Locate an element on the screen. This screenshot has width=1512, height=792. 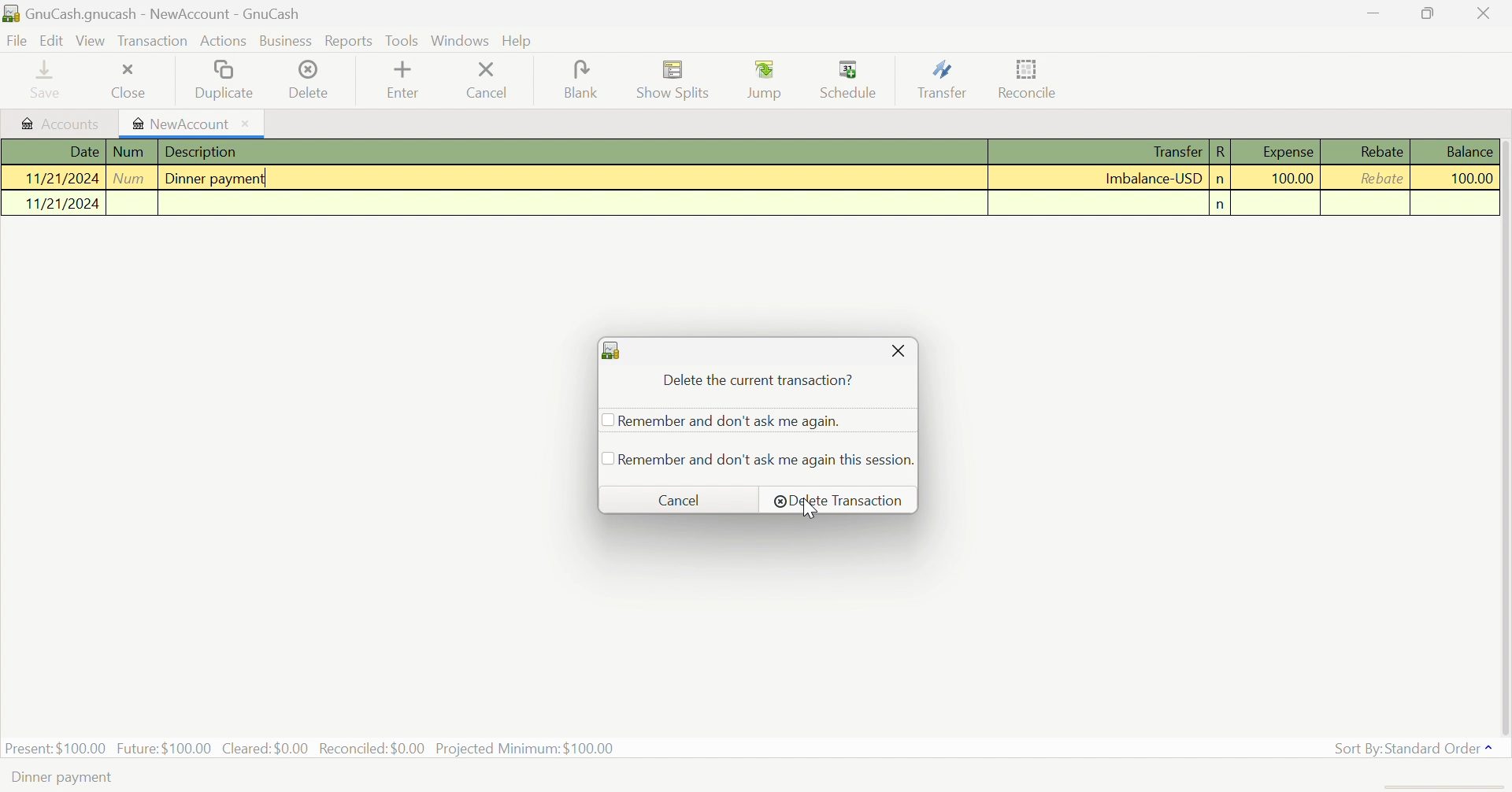
Expense is located at coordinates (1281, 152).